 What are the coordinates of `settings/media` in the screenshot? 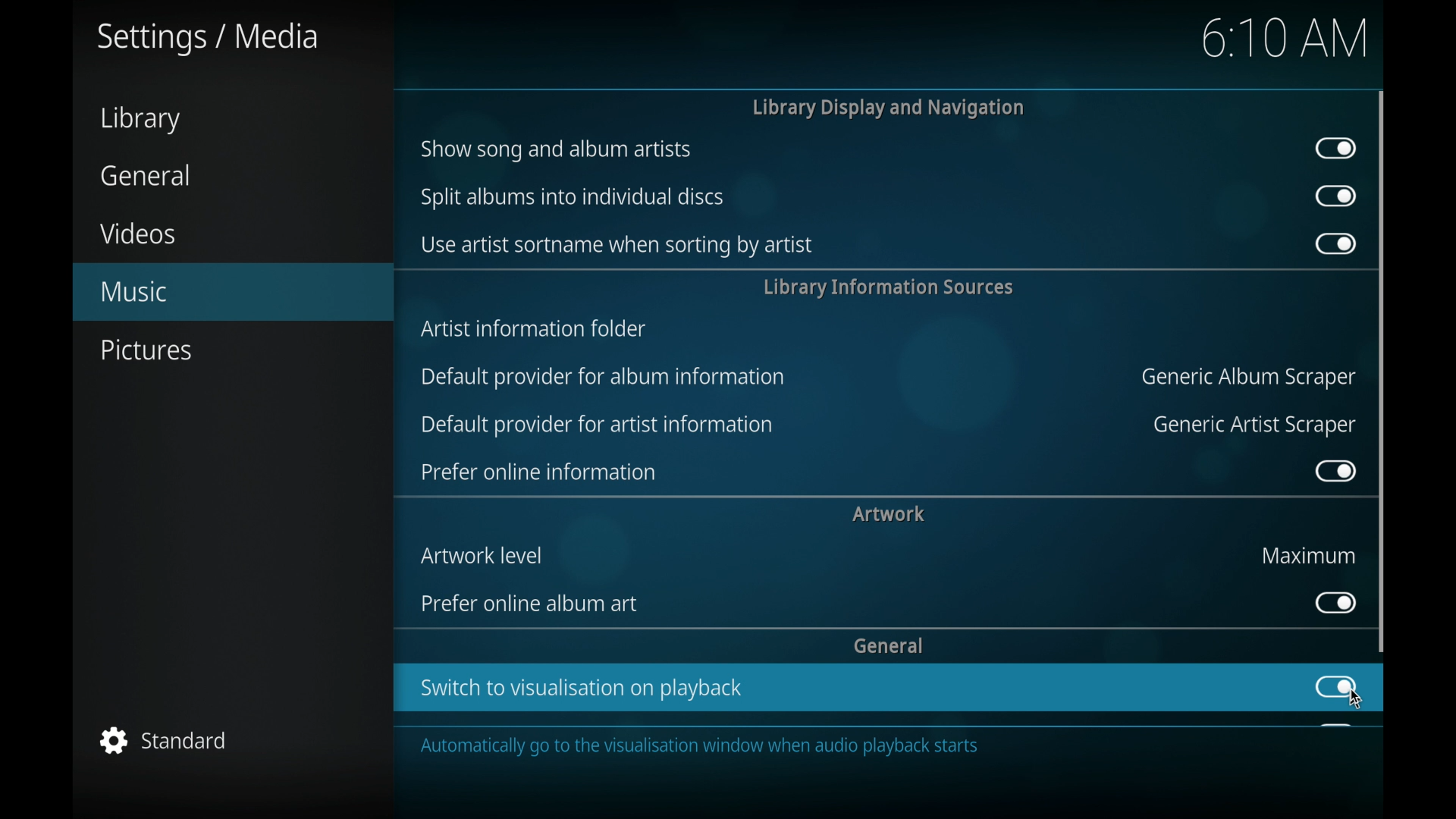 It's located at (208, 39).